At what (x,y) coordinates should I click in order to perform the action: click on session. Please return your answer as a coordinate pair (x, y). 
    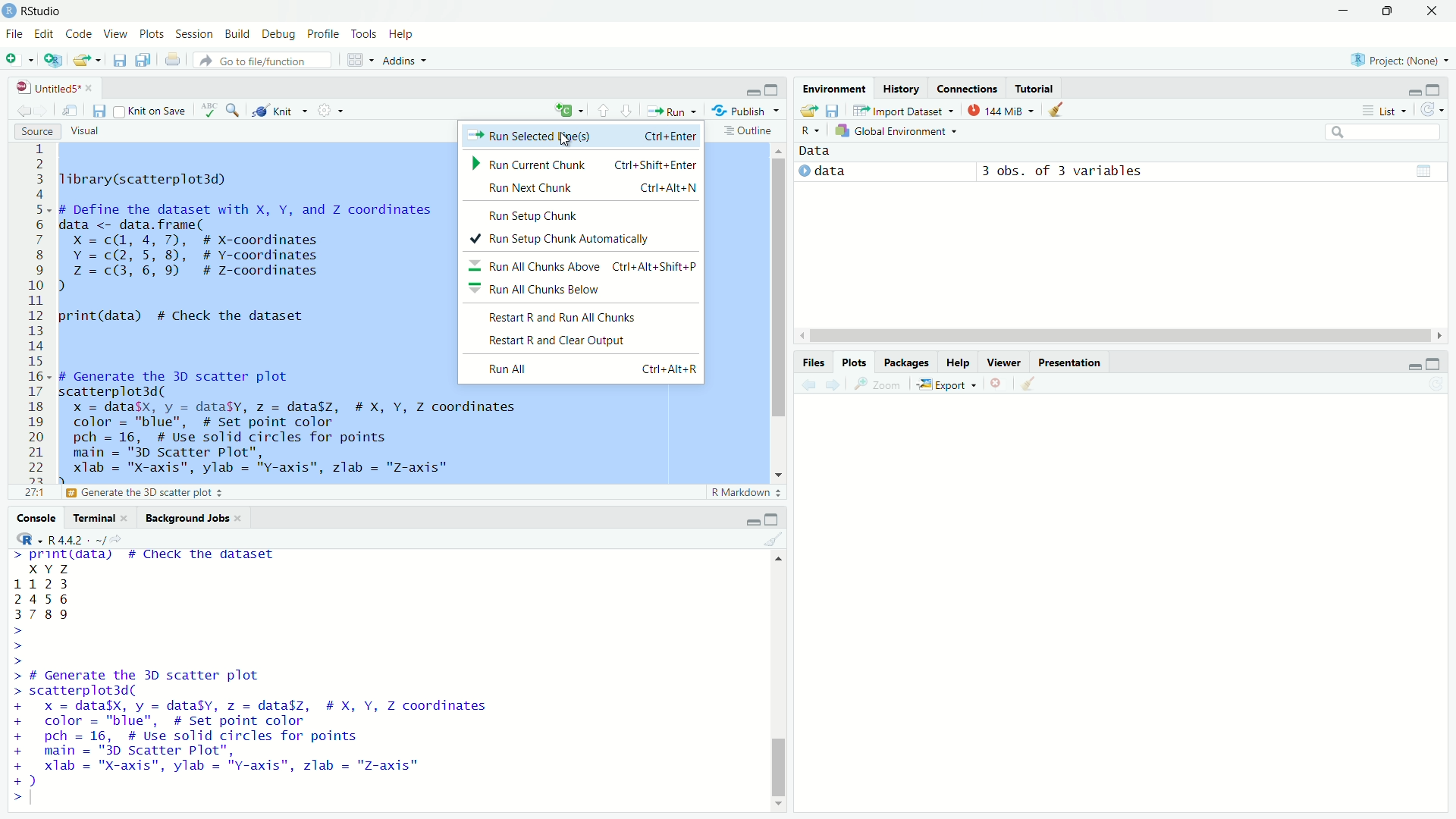
    Looking at the image, I should click on (193, 33).